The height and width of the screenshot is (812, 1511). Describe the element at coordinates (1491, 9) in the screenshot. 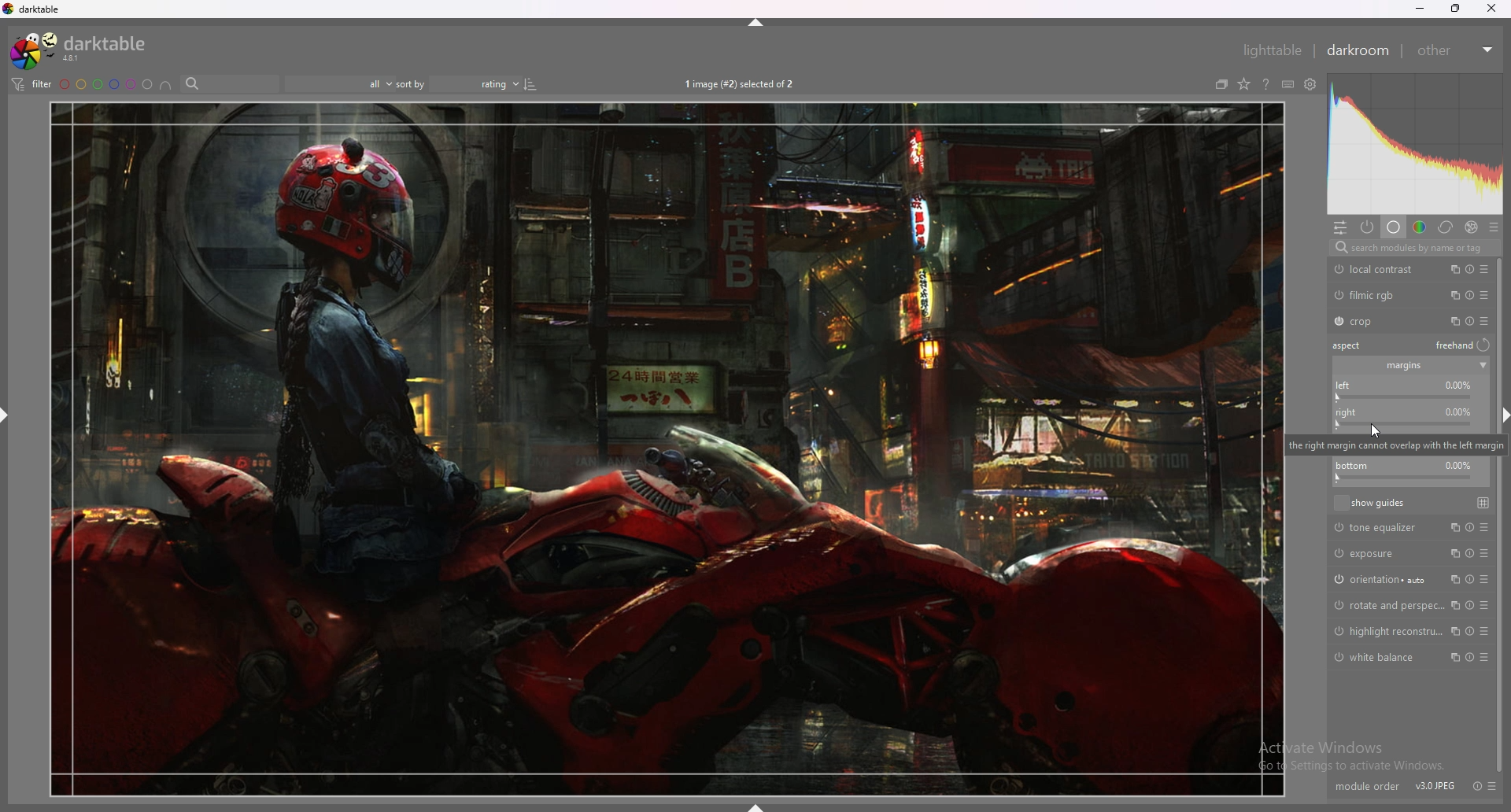

I see `close` at that location.